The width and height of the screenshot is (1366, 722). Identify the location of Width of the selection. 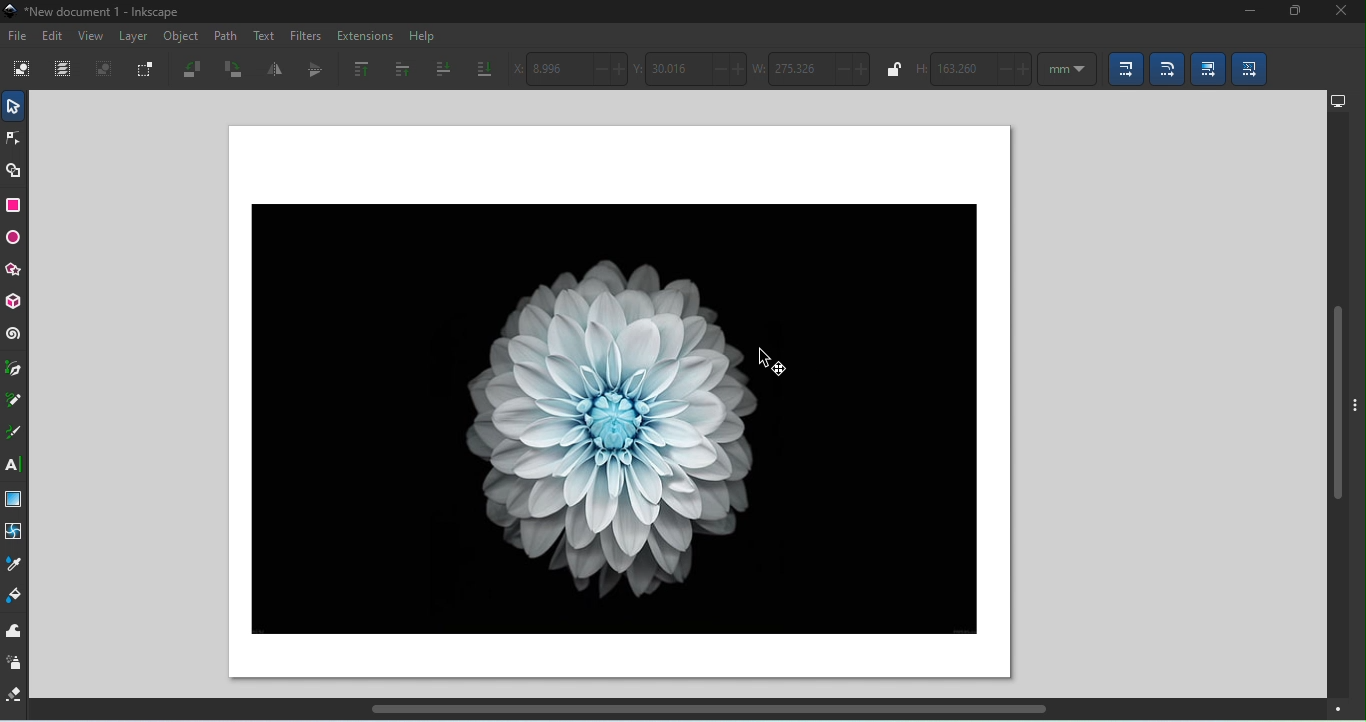
(815, 70).